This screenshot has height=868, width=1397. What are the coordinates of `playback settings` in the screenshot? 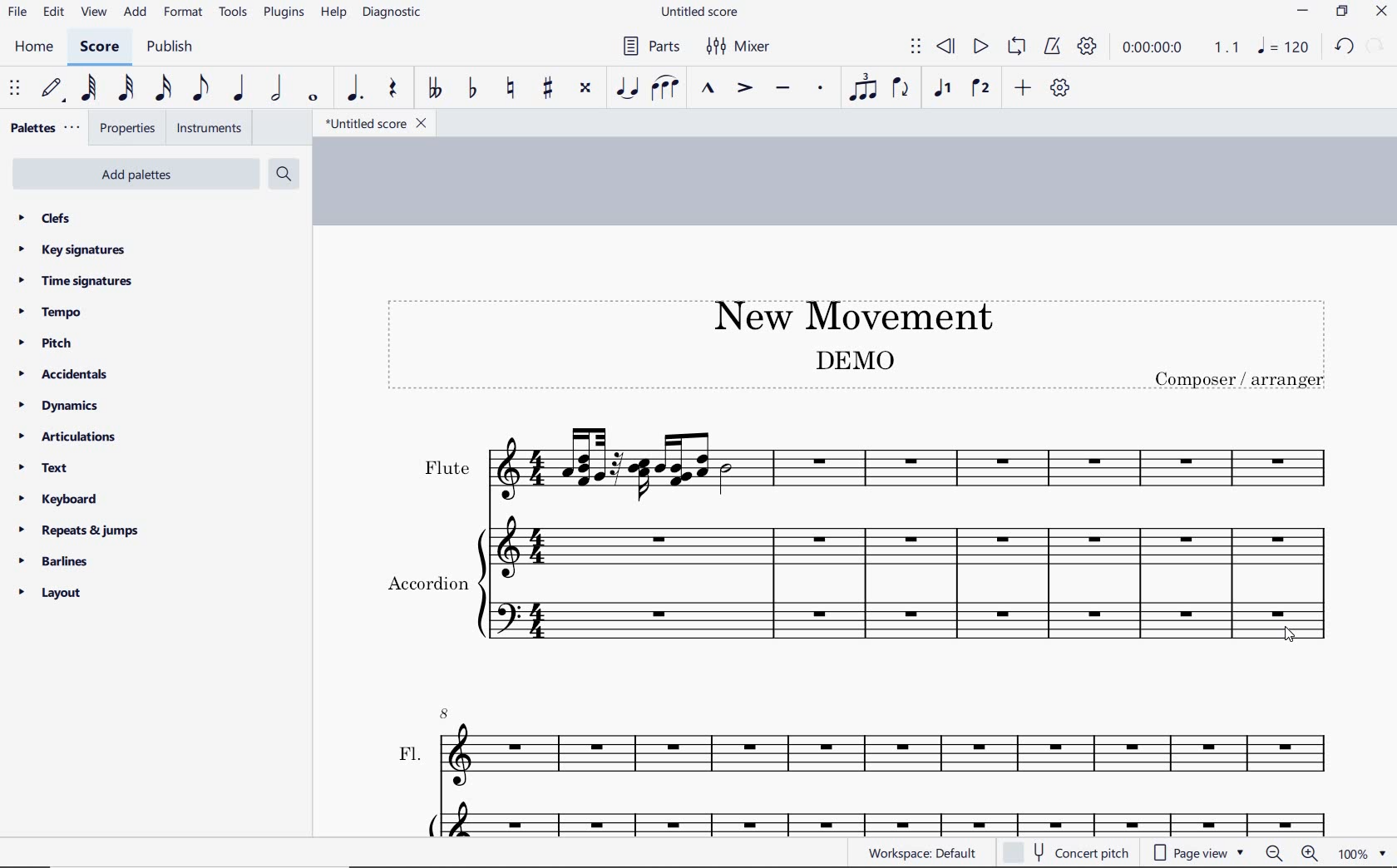 It's located at (1089, 46).